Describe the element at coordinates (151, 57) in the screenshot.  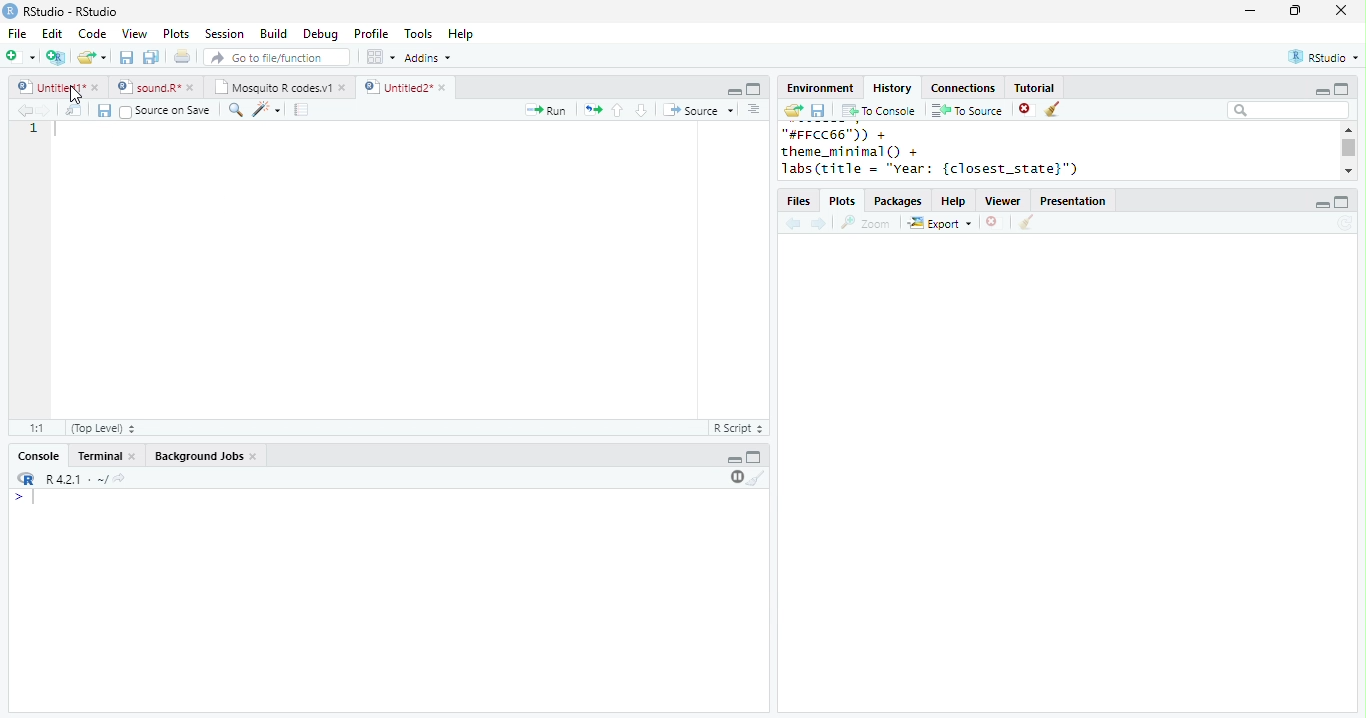
I see `save all` at that location.